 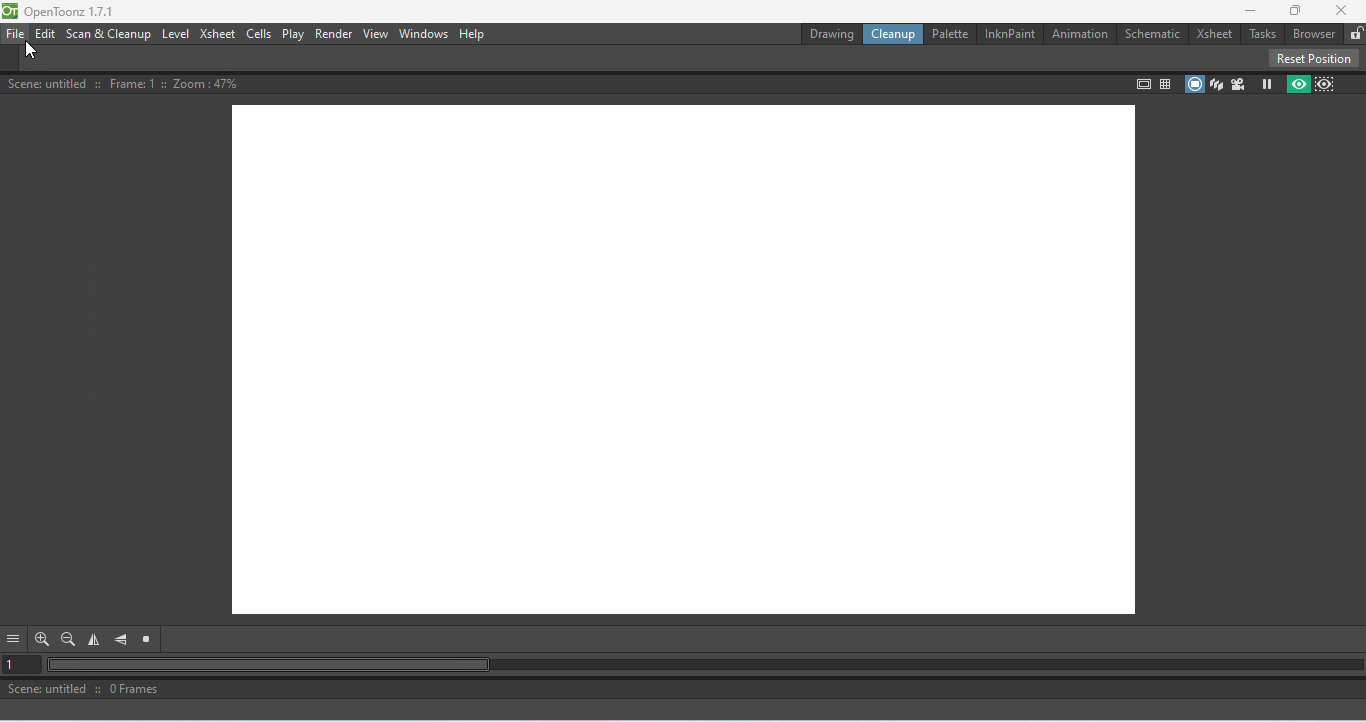 I want to click on Maximize, so click(x=1297, y=10).